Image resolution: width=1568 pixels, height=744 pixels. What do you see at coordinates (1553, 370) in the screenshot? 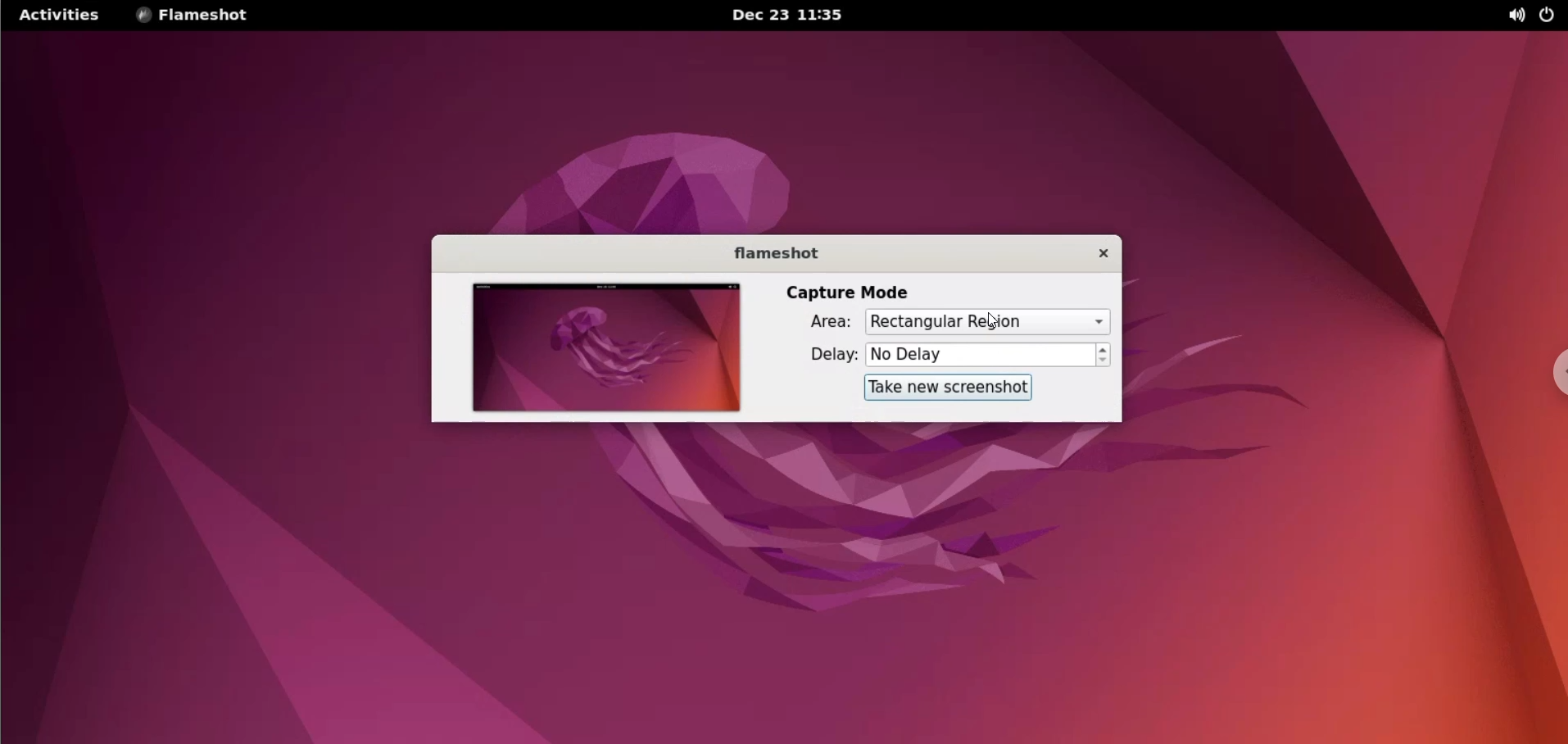
I see `chrome options` at bounding box center [1553, 370].